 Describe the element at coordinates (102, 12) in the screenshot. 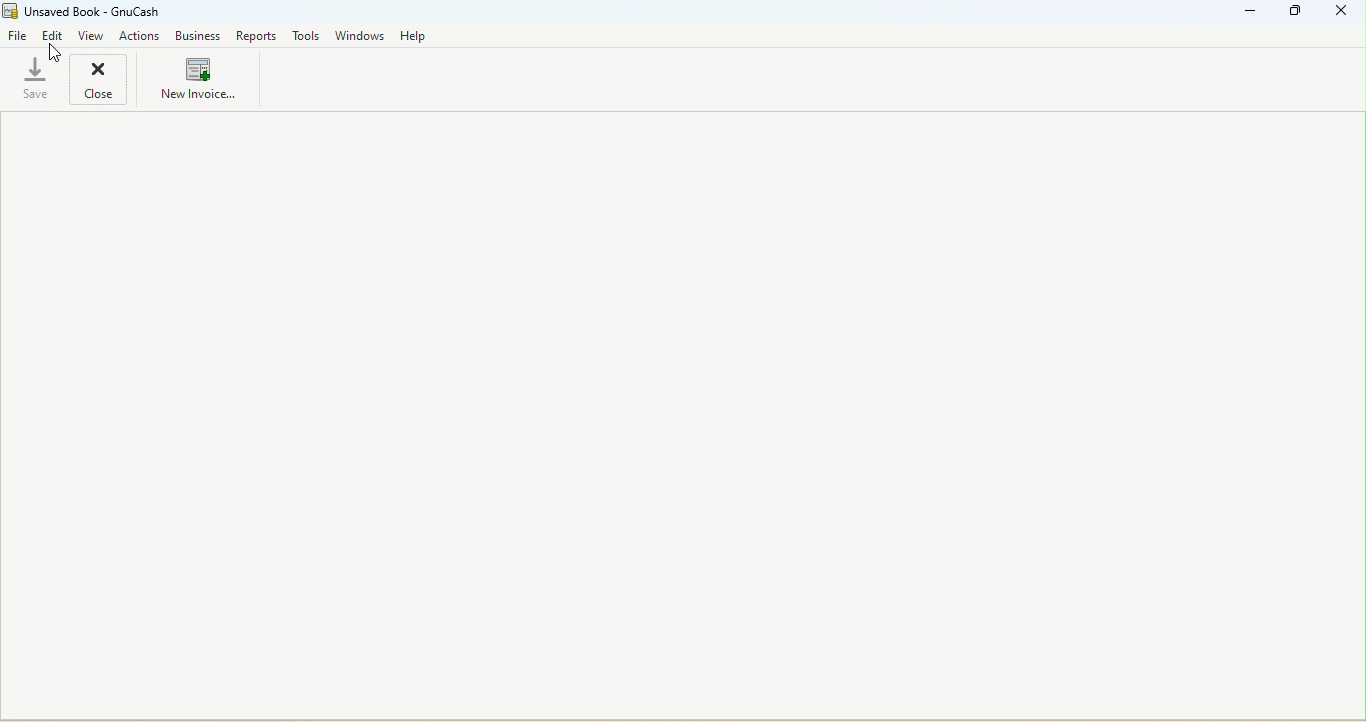

I see `File name` at that location.